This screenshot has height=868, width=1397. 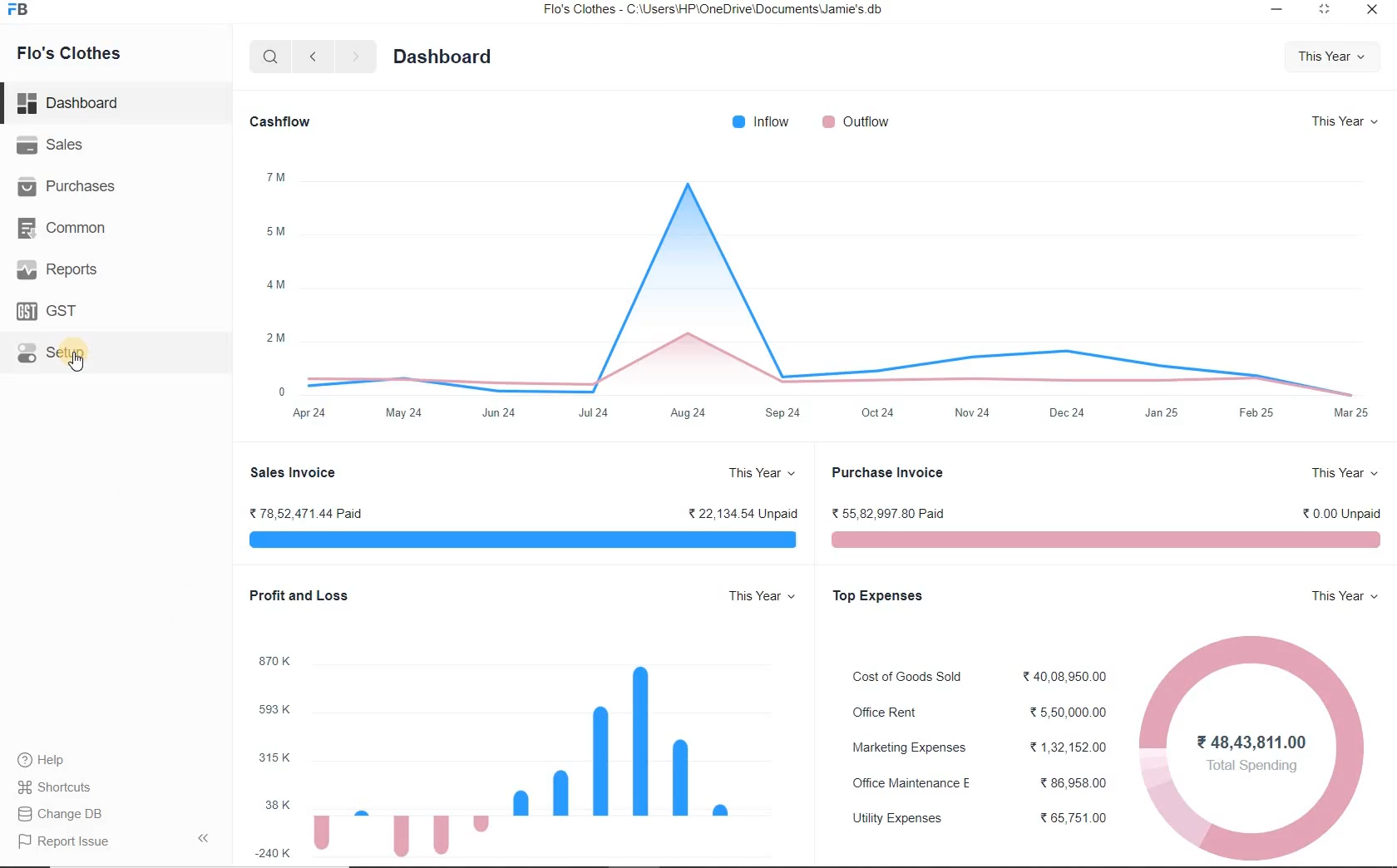 I want to click on 240K, so click(x=272, y=854).